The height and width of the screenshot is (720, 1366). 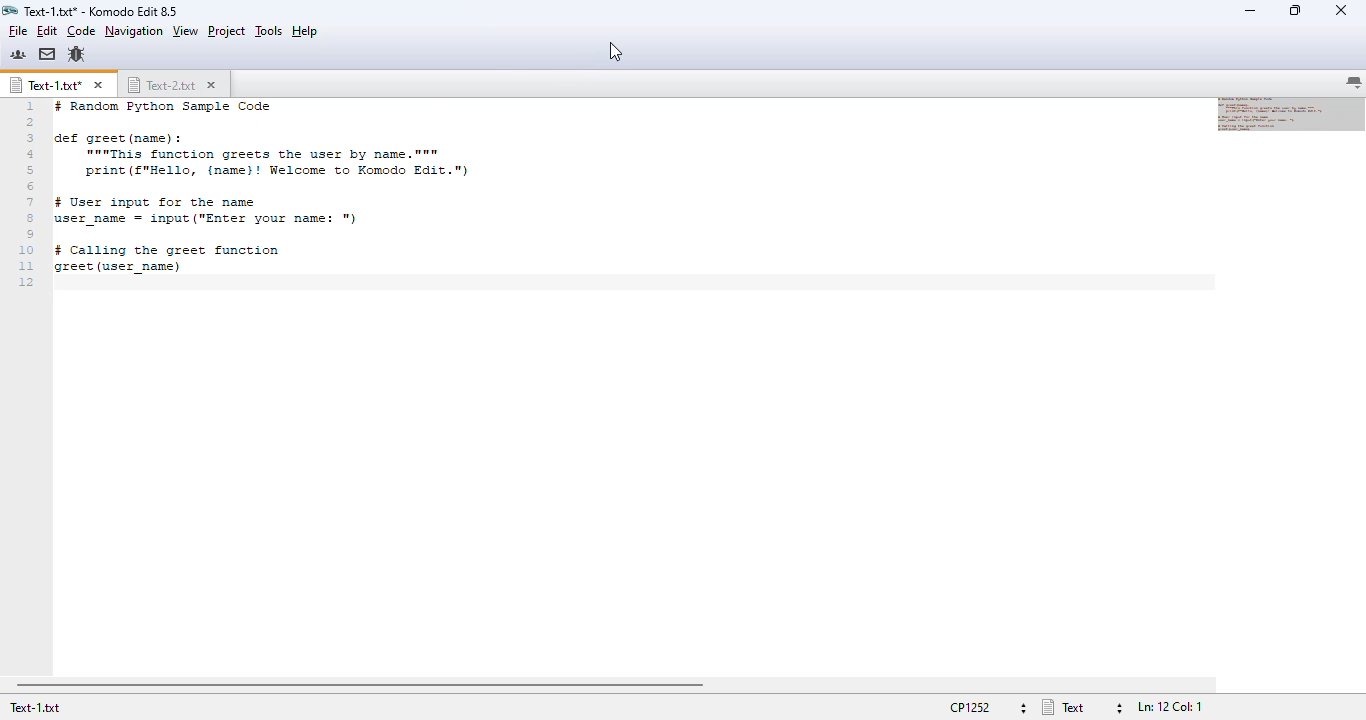 What do you see at coordinates (305, 32) in the screenshot?
I see `help` at bounding box center [305, 32].